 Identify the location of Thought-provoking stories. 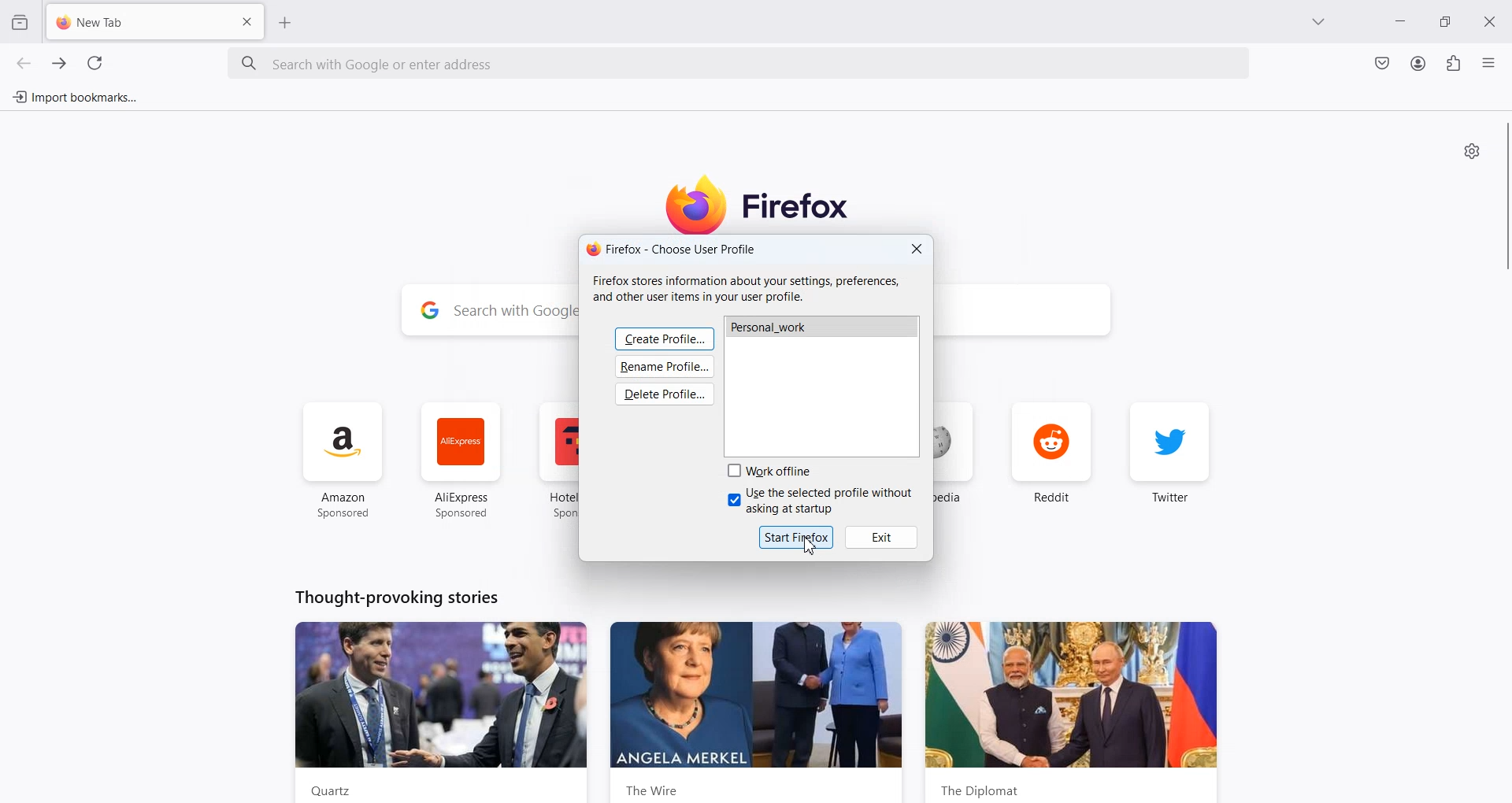
(396, 596).